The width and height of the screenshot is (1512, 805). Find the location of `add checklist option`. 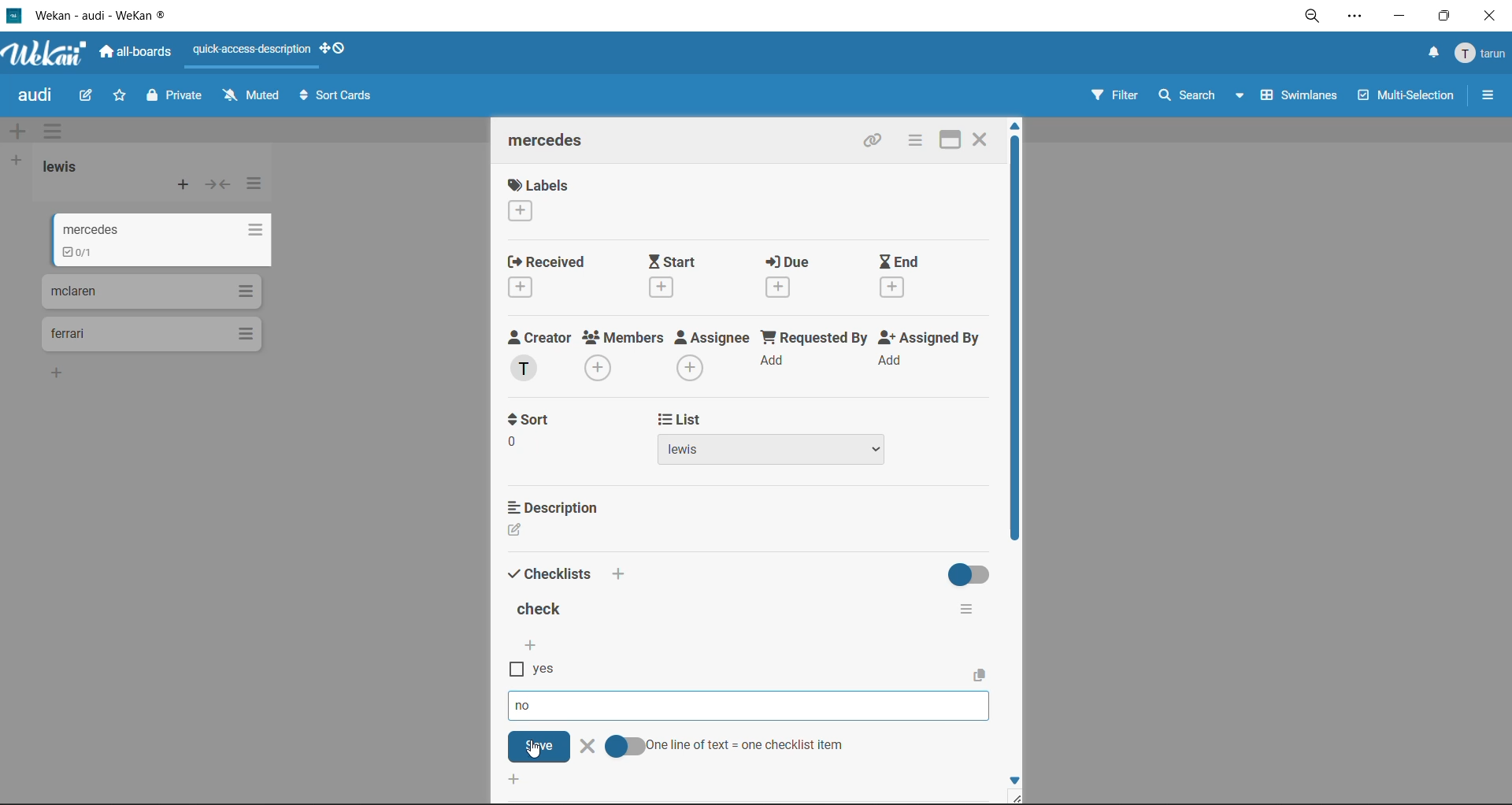

add checklist option is located at coordinates (532, 647).